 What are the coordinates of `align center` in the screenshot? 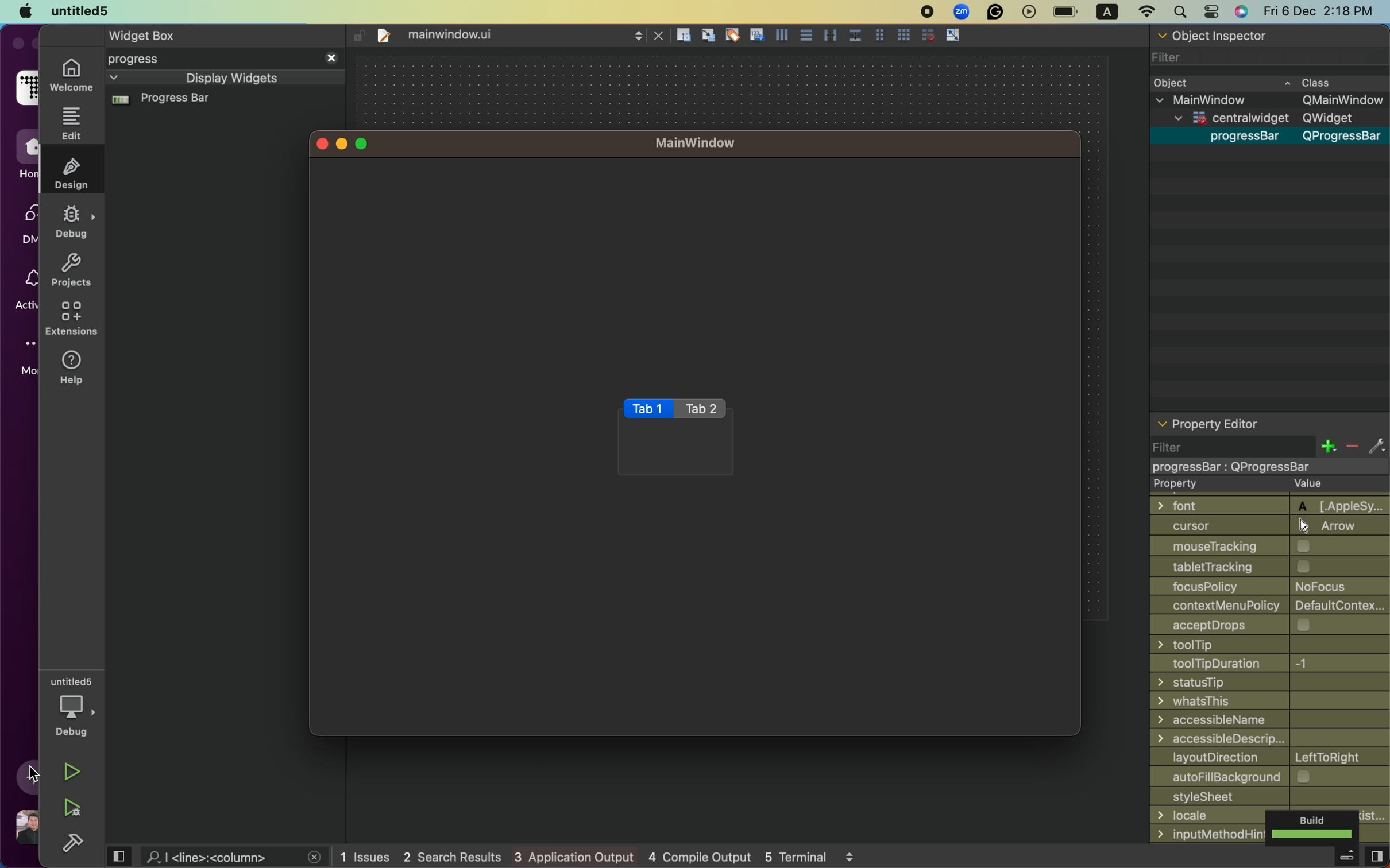 It's located at (806, 36).